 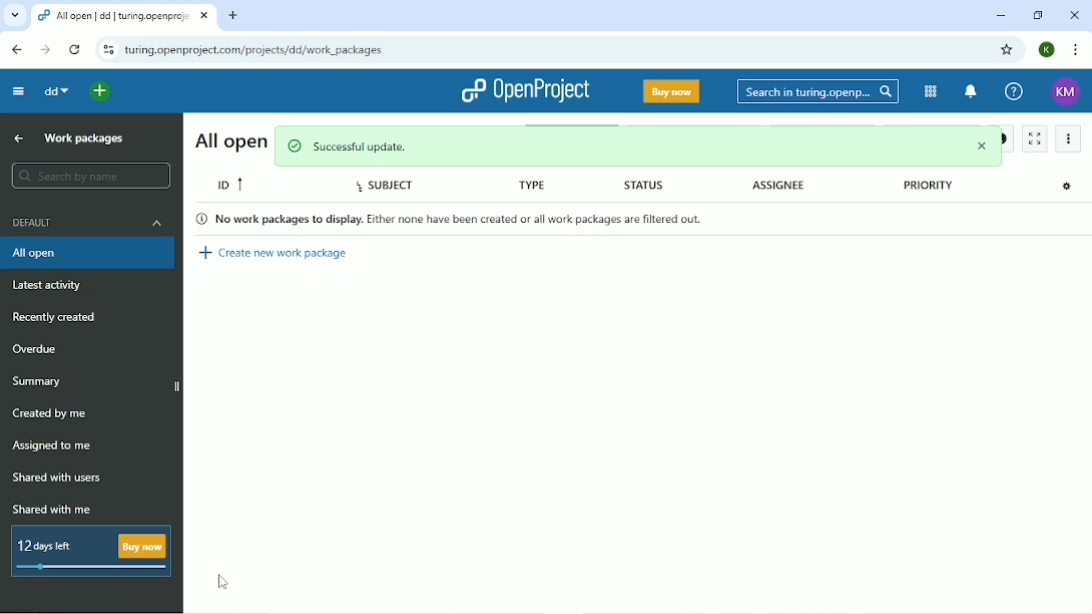 I want to click on Modules, so click(x=928, y=92).